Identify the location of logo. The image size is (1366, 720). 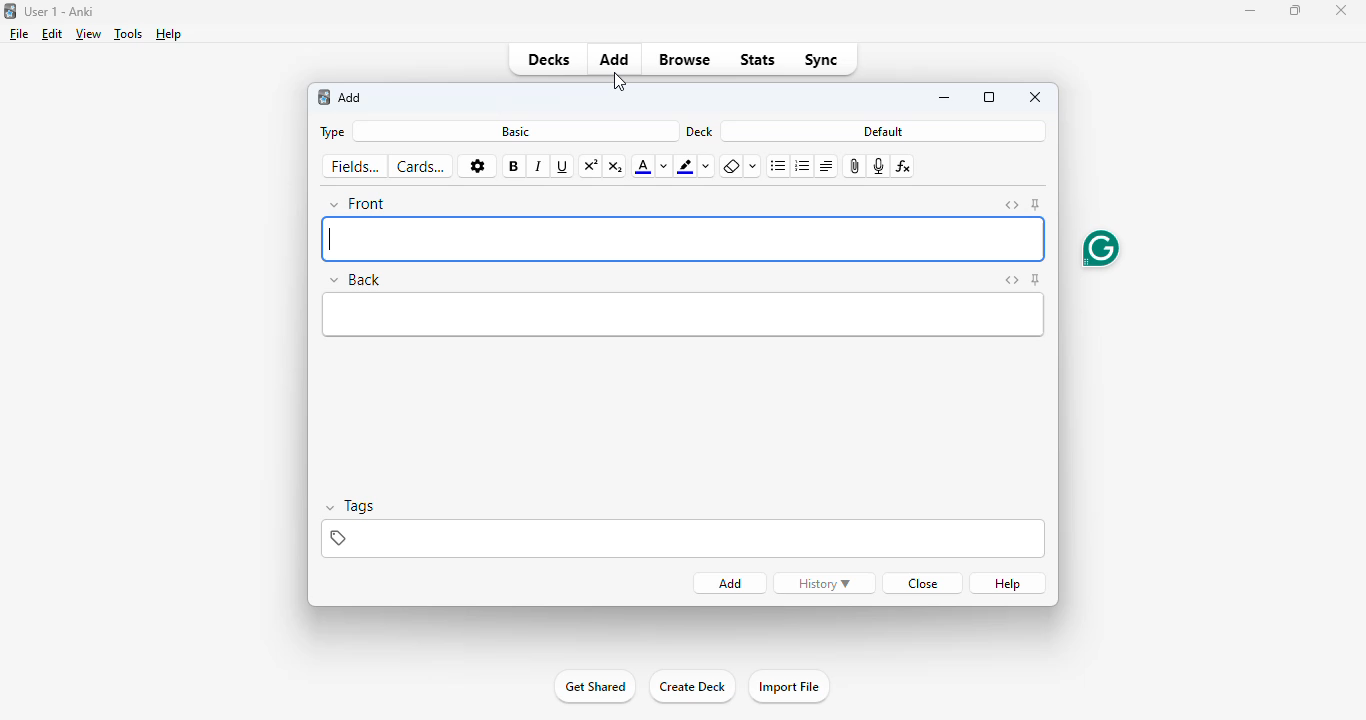
(9, 11).